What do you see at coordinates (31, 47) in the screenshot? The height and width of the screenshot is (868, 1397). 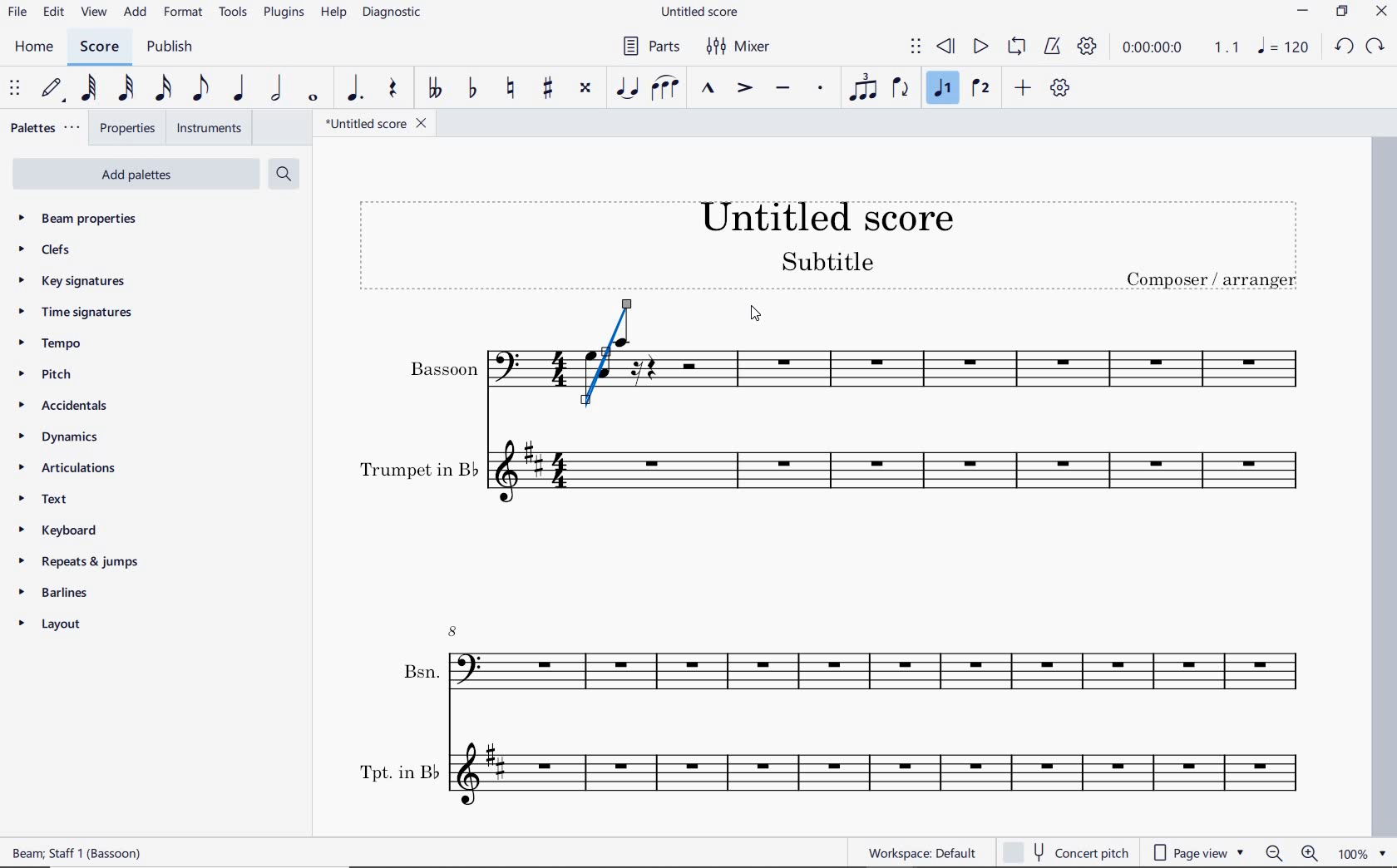 I see `home` at bounding box center [31, 47].